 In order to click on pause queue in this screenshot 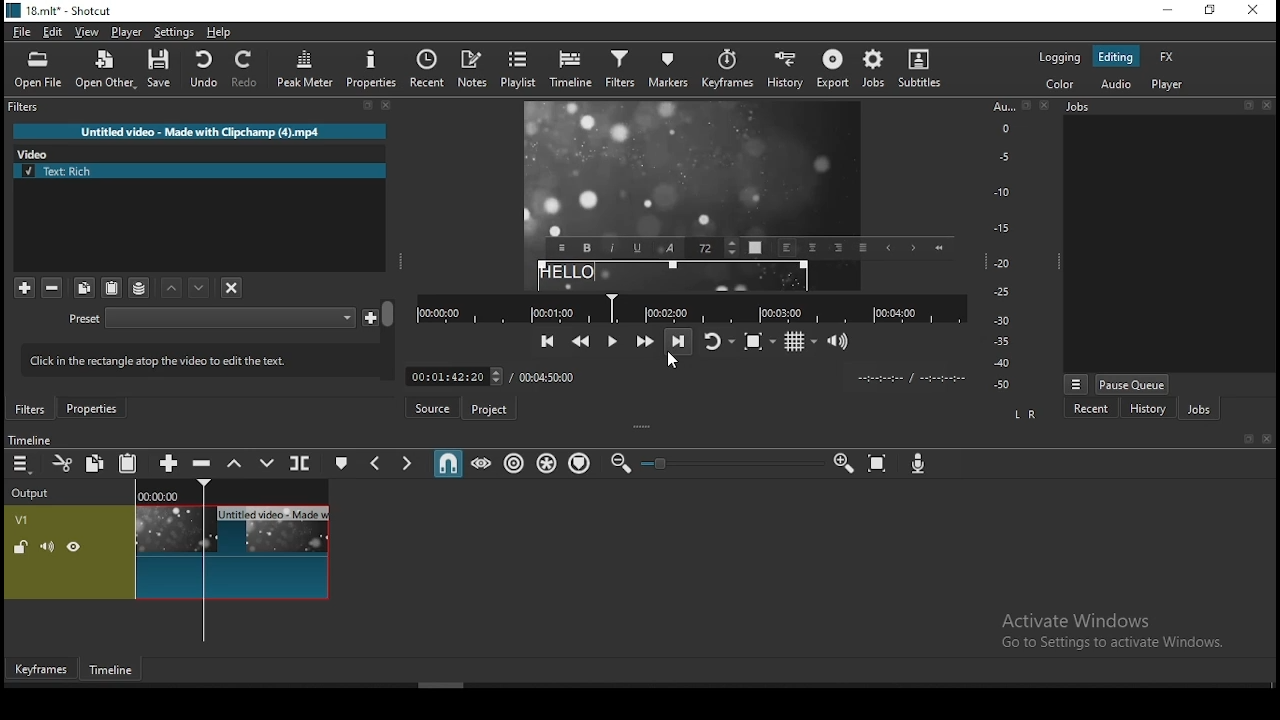, I will do `click(1133, 384)`.